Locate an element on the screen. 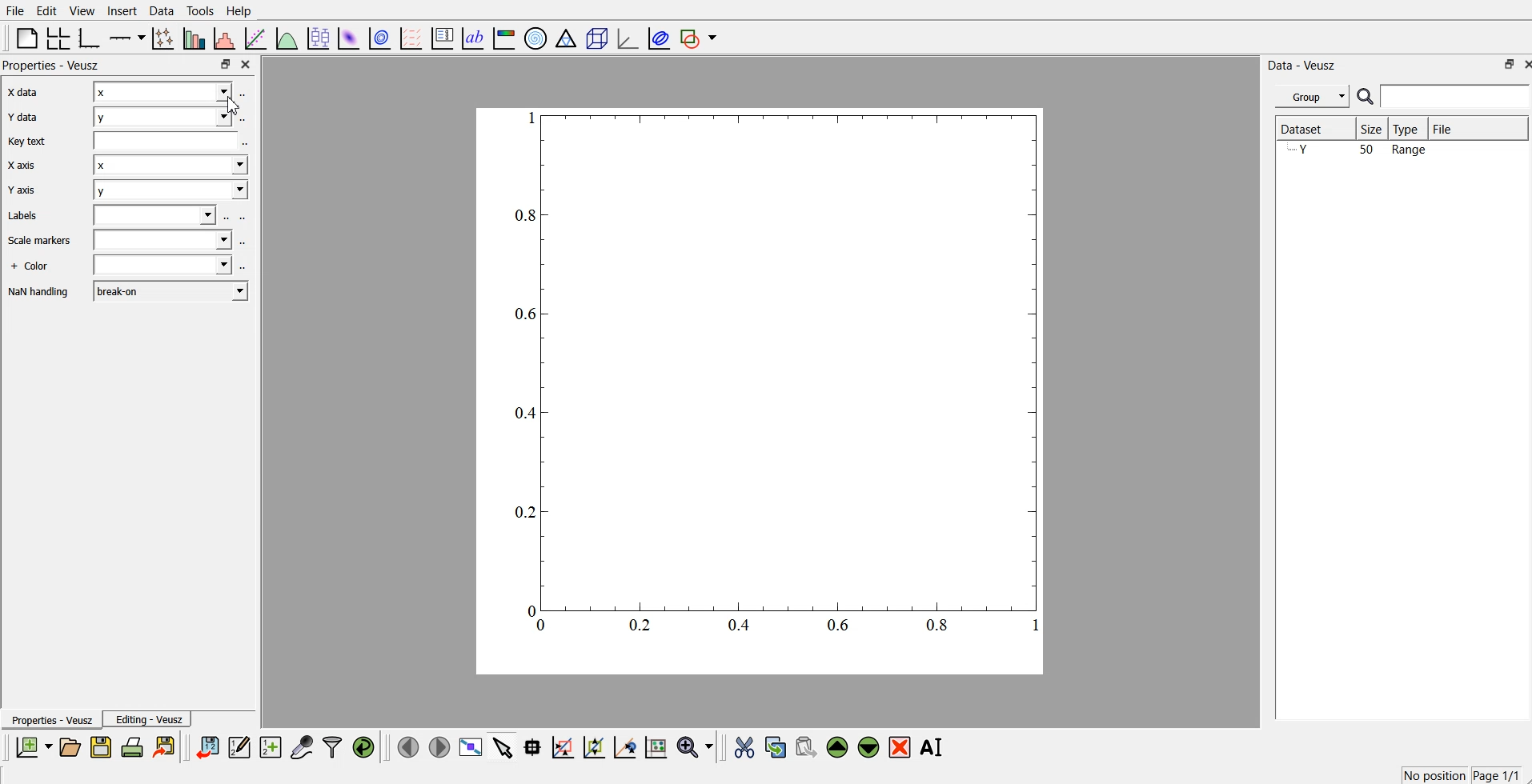 This screenshot has width=1532, height=784. Tools is located at coordinates (200, 11).